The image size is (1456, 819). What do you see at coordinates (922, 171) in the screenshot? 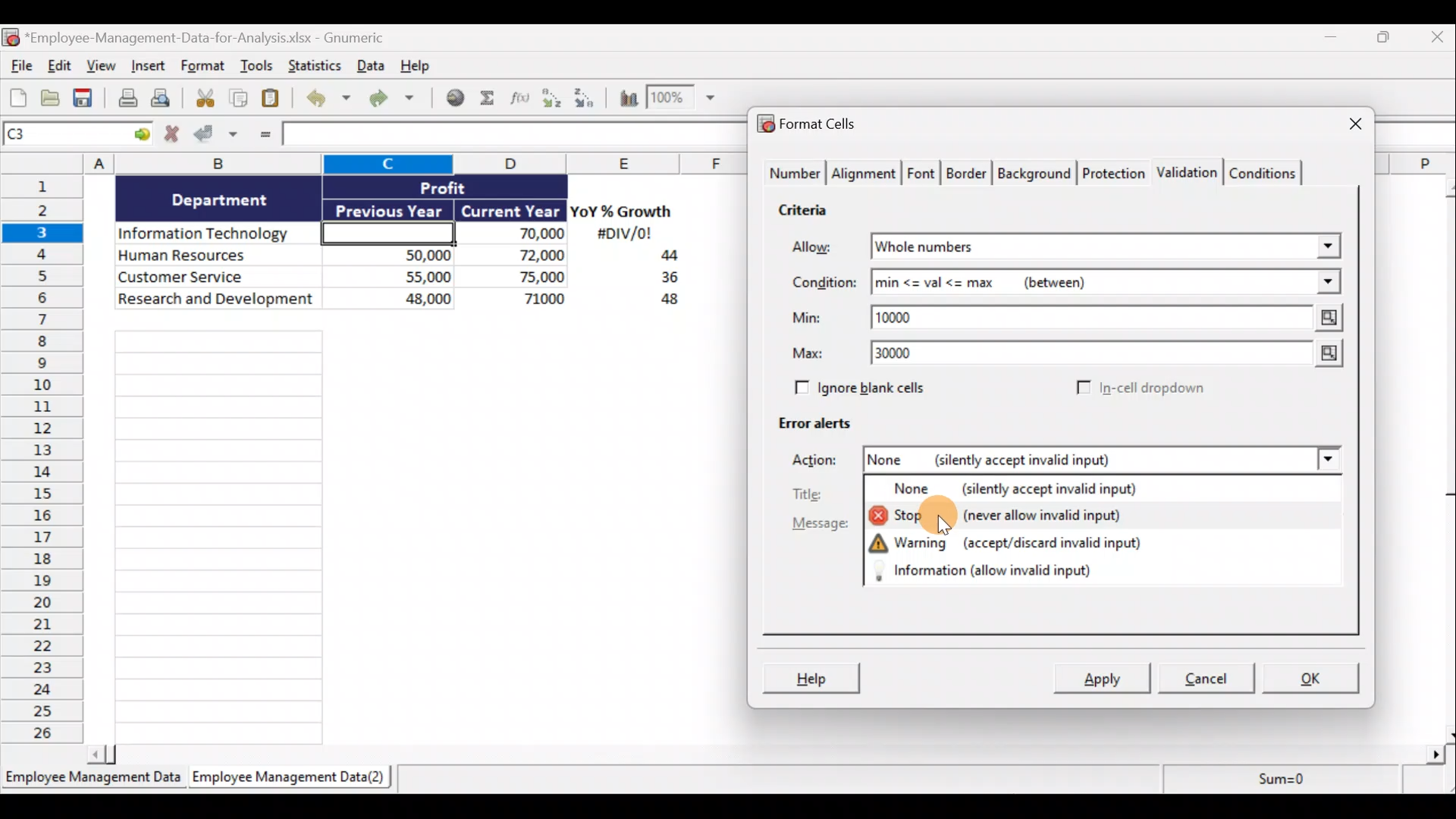
I see `Font` at bounding box center [922, 171].